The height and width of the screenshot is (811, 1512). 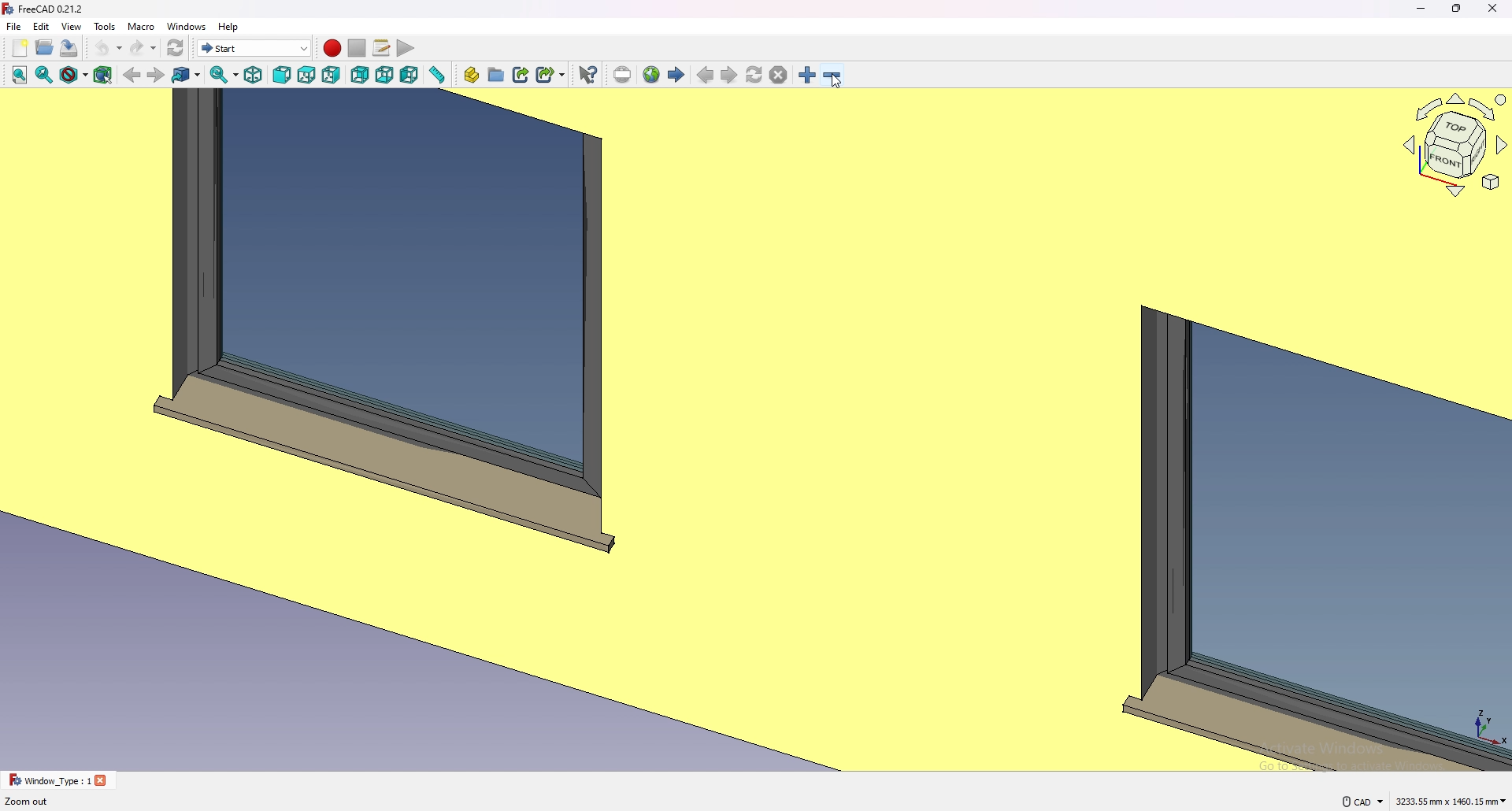 I want to click on zoom in, so click(x=809, y=75).